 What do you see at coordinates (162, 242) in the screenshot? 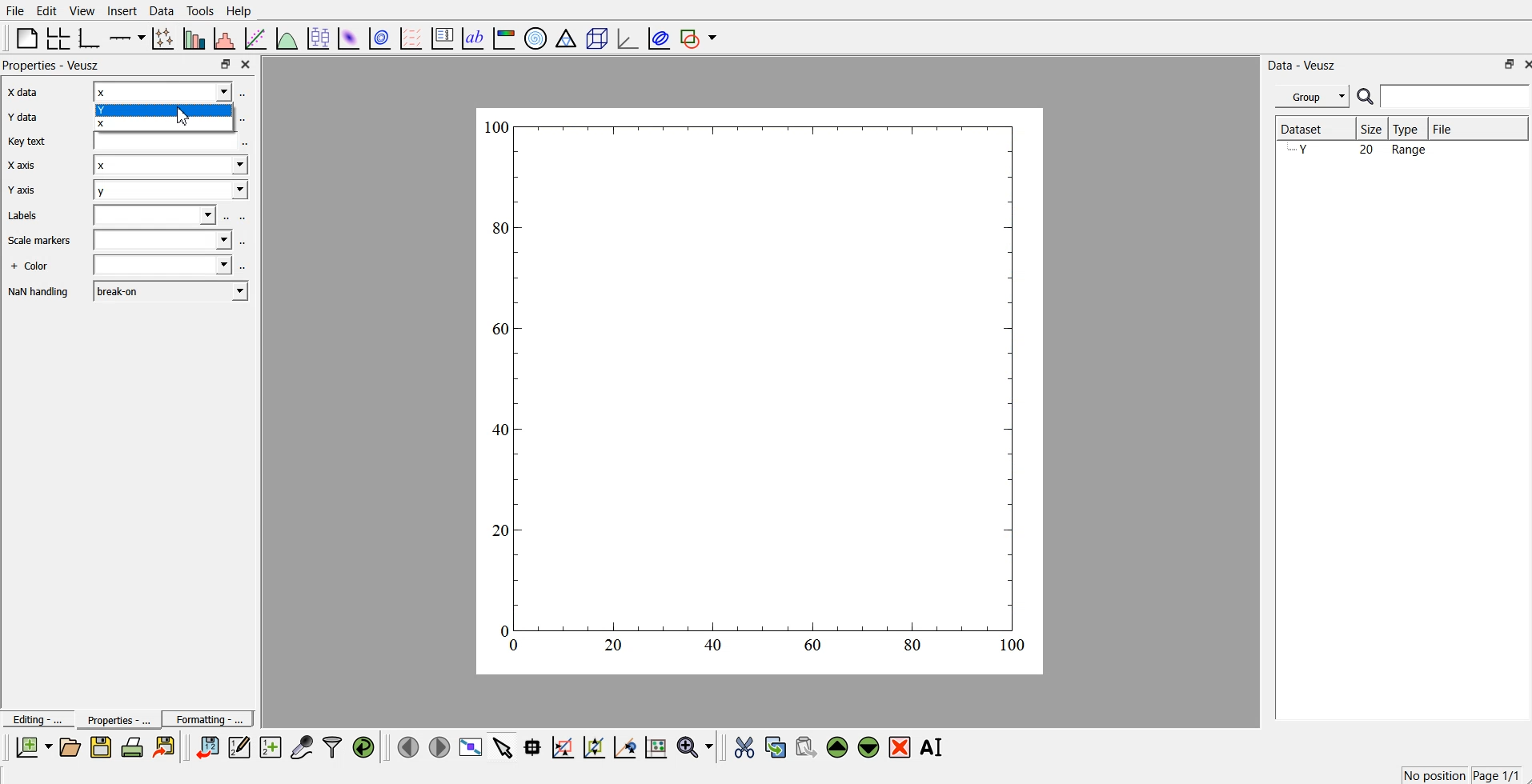
I see `field` at bounding box center [162, 242].